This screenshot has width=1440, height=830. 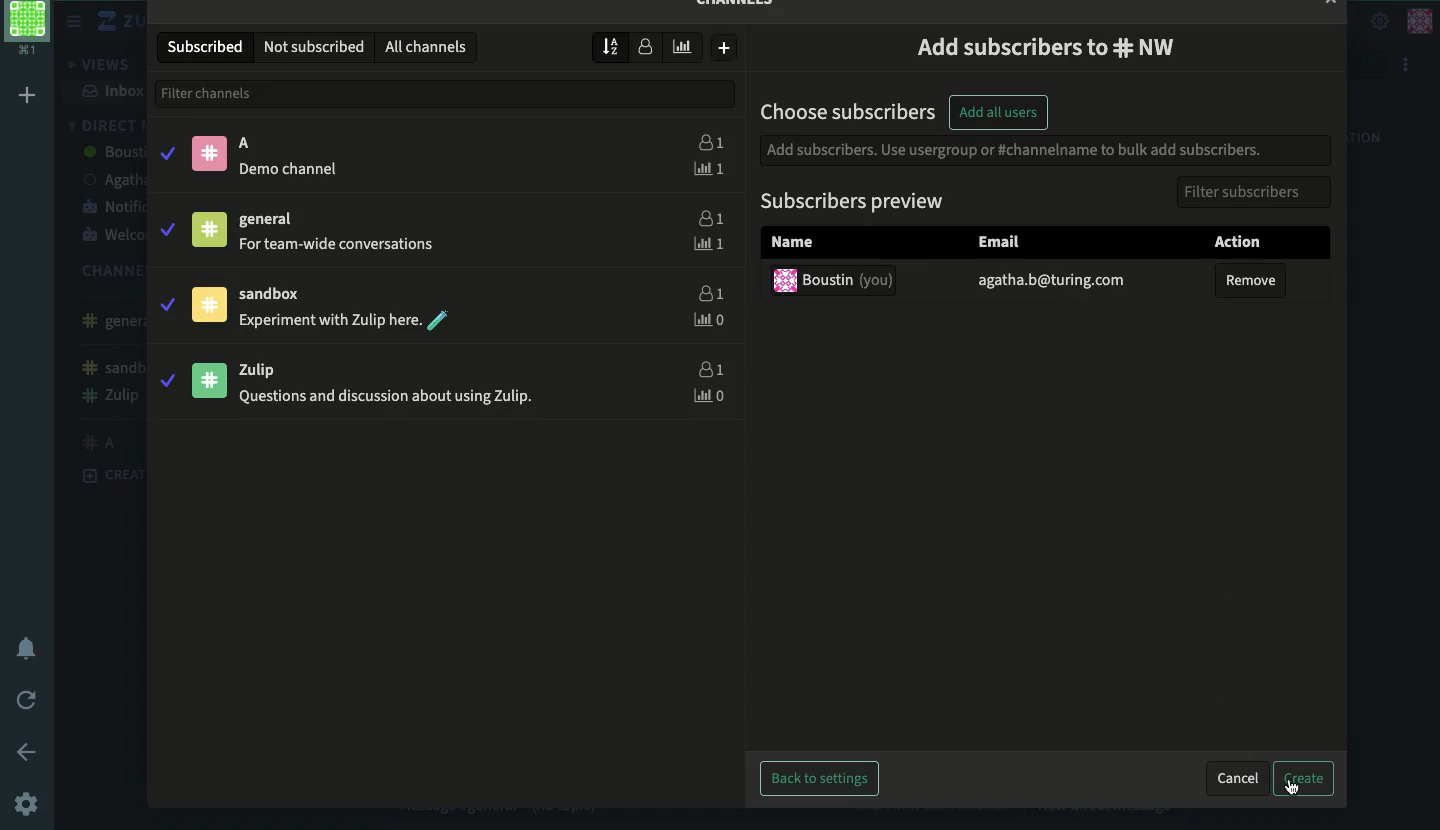 I want to click on filter subscribers , so click(x=1257, y=191).